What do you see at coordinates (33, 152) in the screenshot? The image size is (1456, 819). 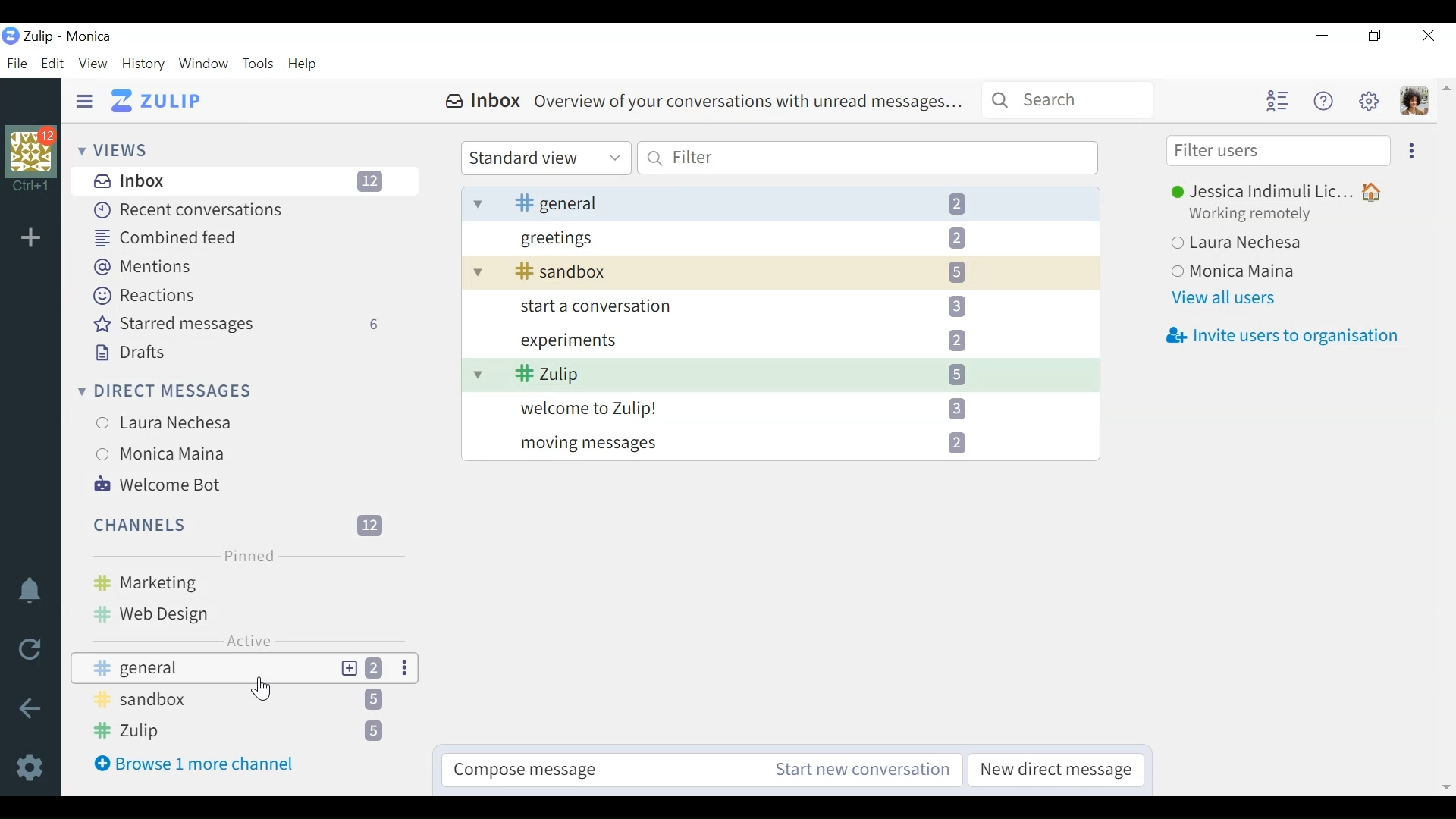 I see `Organisation Profile picture` at bounding box center [33, 152].